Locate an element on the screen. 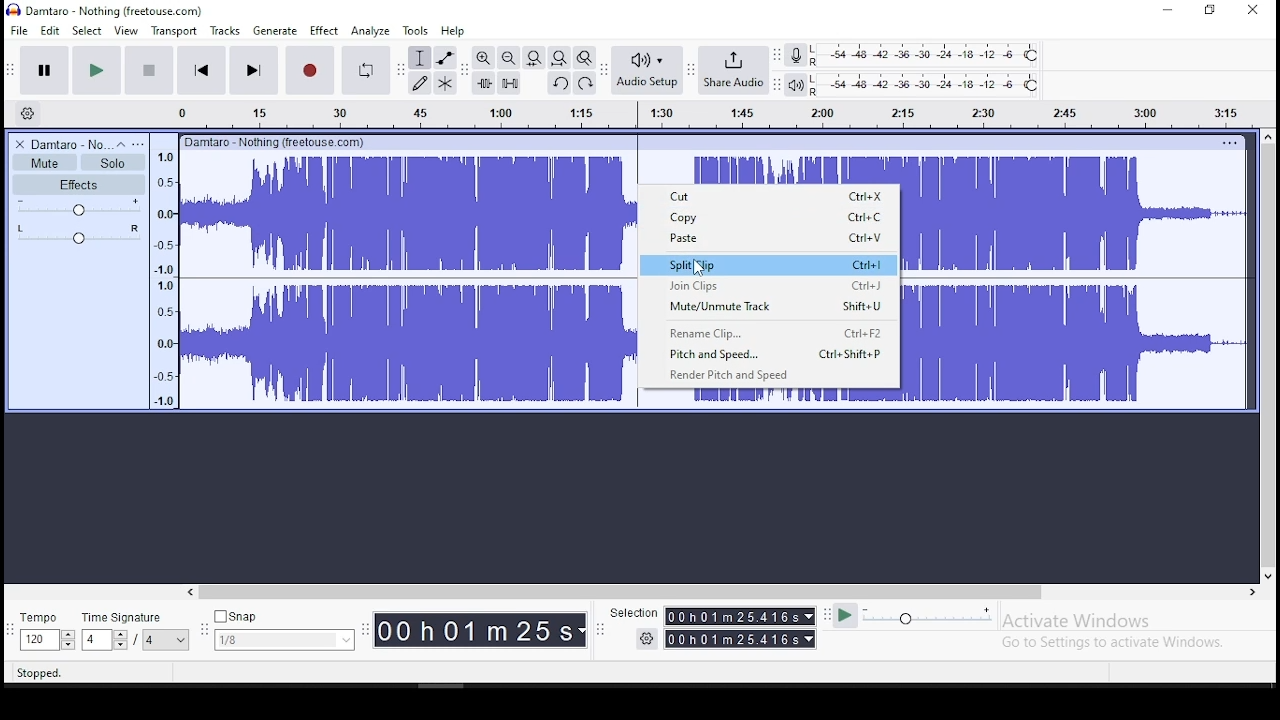 Image resolution: width=1280 pixels, height=720 pixels. stop is located at coordinates (148, 69).